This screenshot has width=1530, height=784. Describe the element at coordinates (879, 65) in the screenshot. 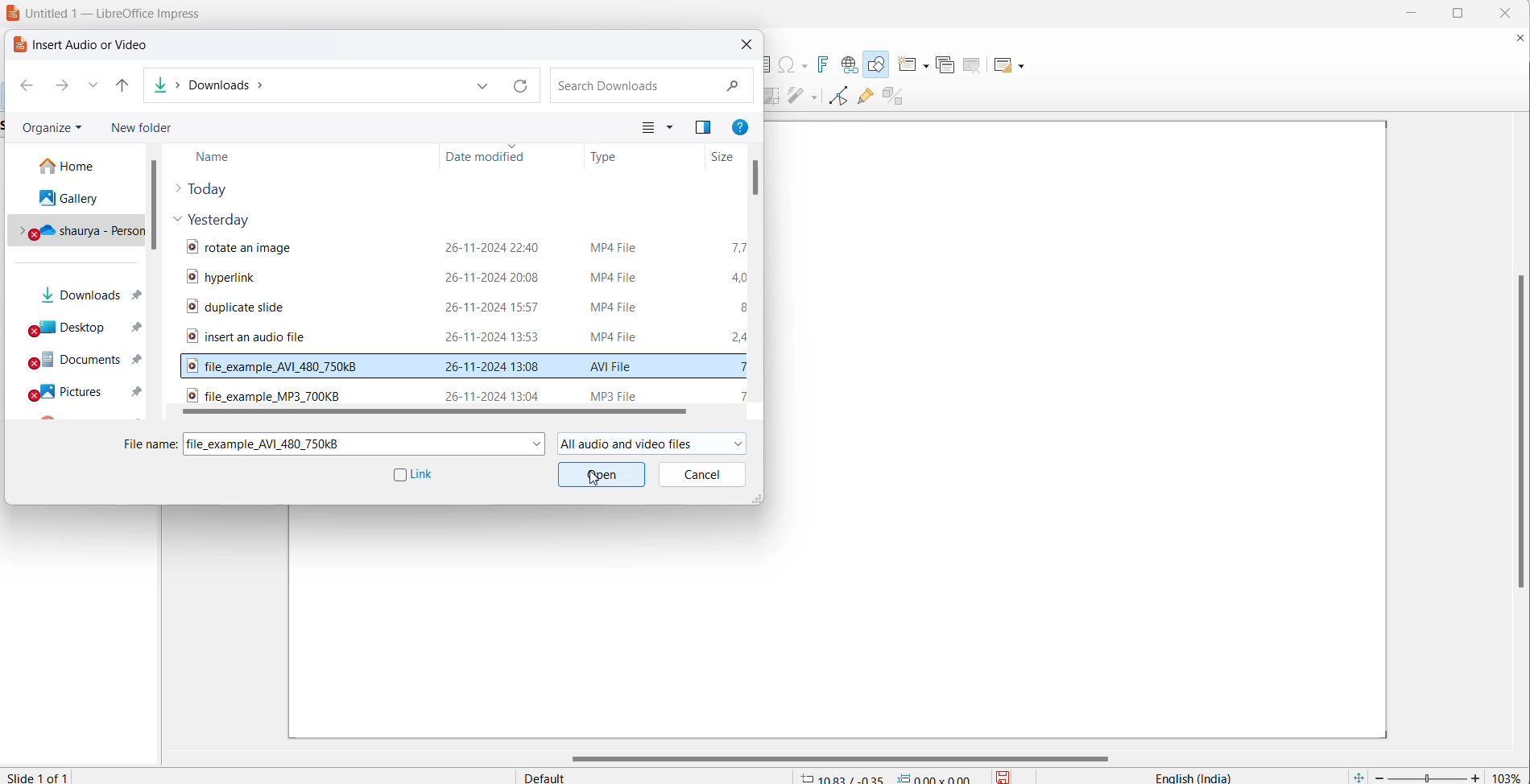

I see `draw shapes tool` at that location.